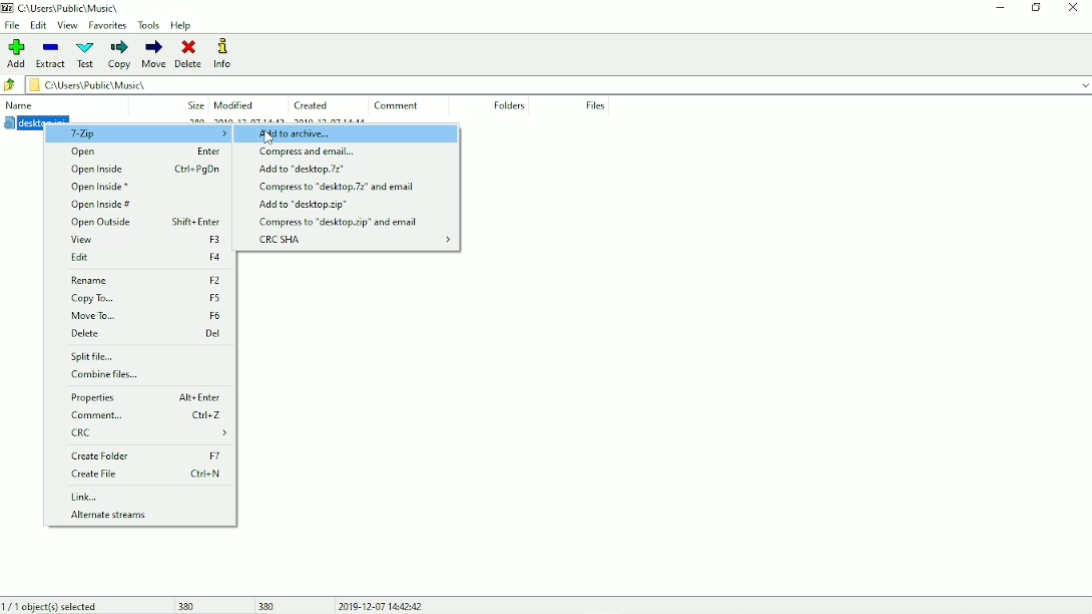  What do you see at coordinates (39, 25) in the screenshot?
I see `Edit` at bounding box center [39, 25].